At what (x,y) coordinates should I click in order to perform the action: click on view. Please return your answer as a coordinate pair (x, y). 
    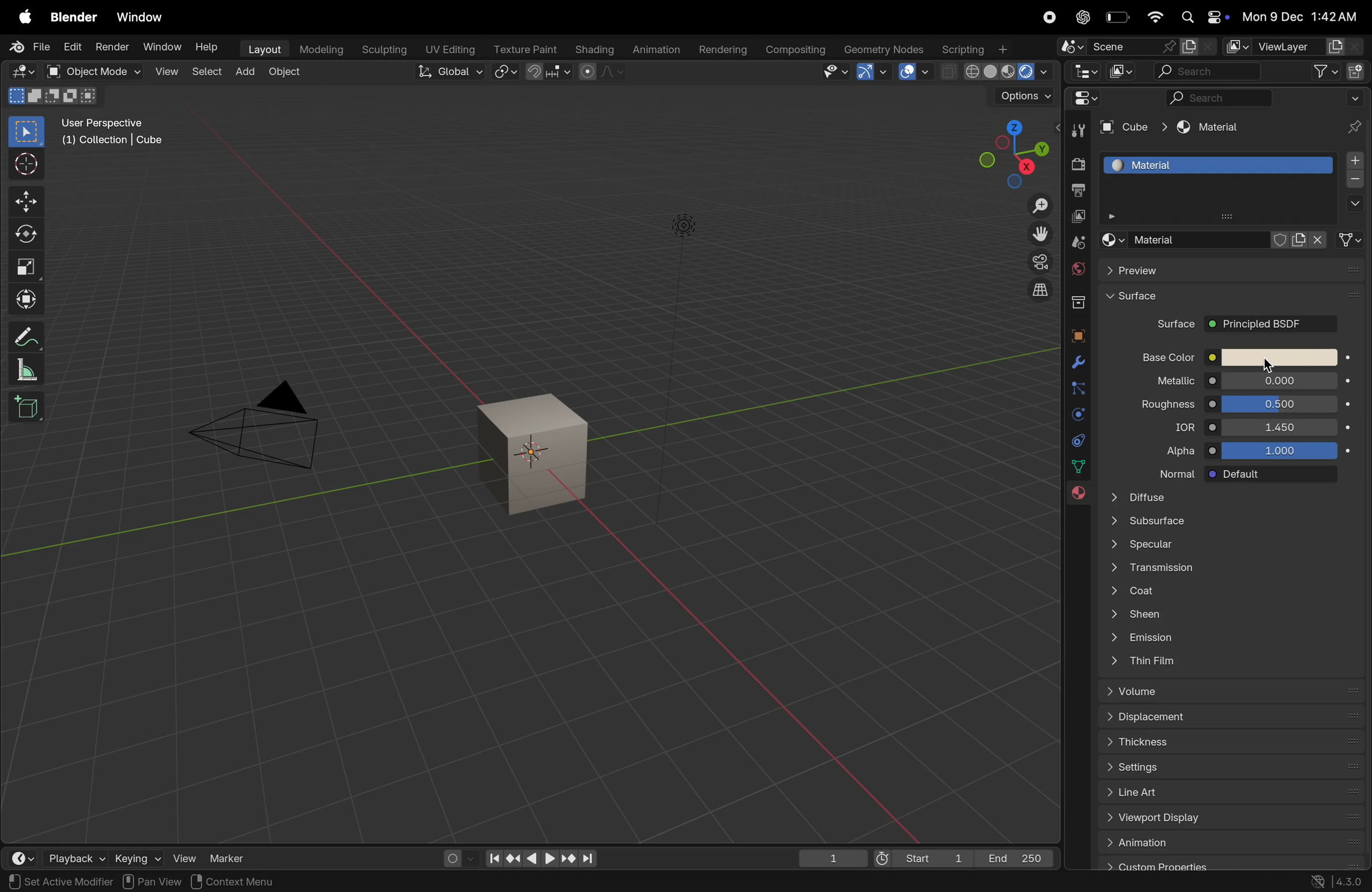
    Looking at the image, I should click on (166, 73).